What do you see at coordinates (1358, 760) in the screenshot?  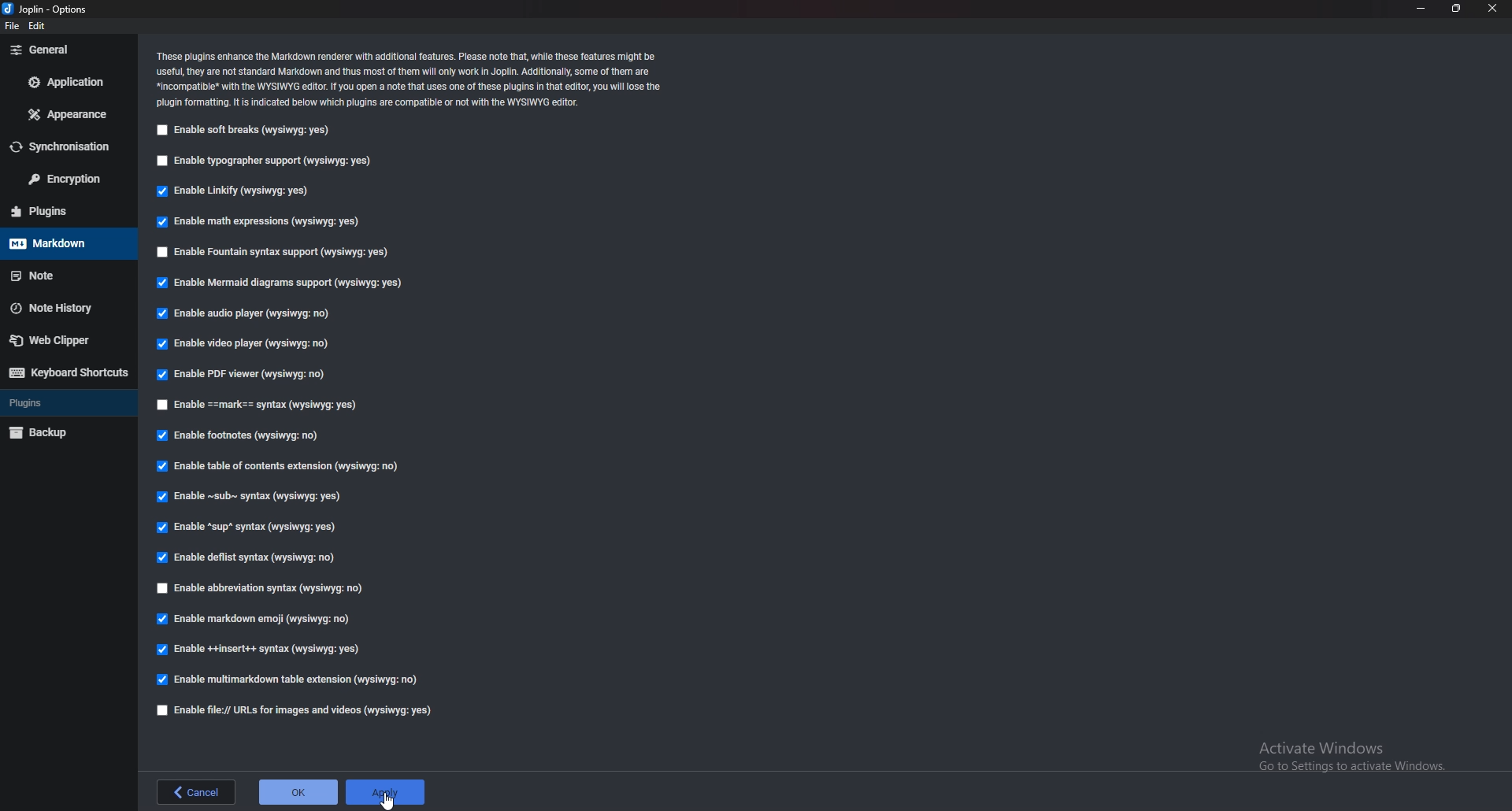 I see `Activate windows pop-up` at bounding box center [1358, 760].